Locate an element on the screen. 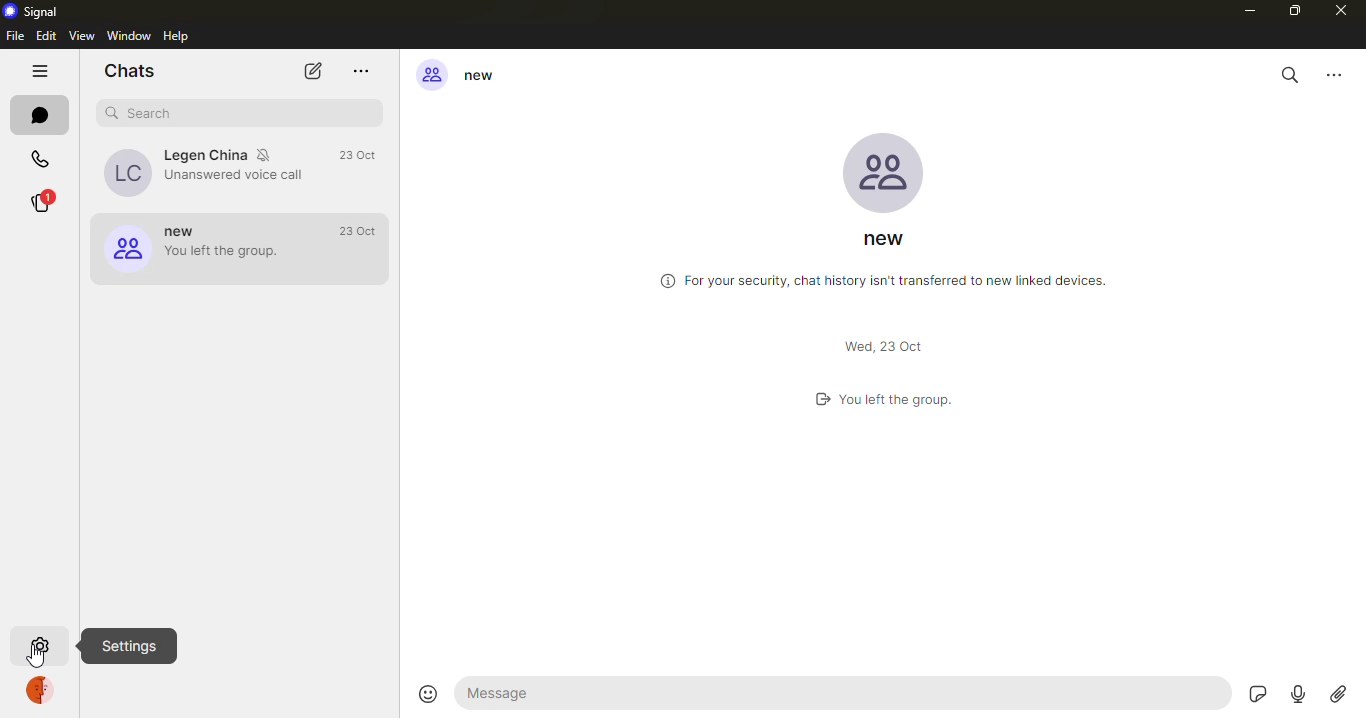 This screenshot has height=718, width=1366. settings is located at coordinates (40, 645).